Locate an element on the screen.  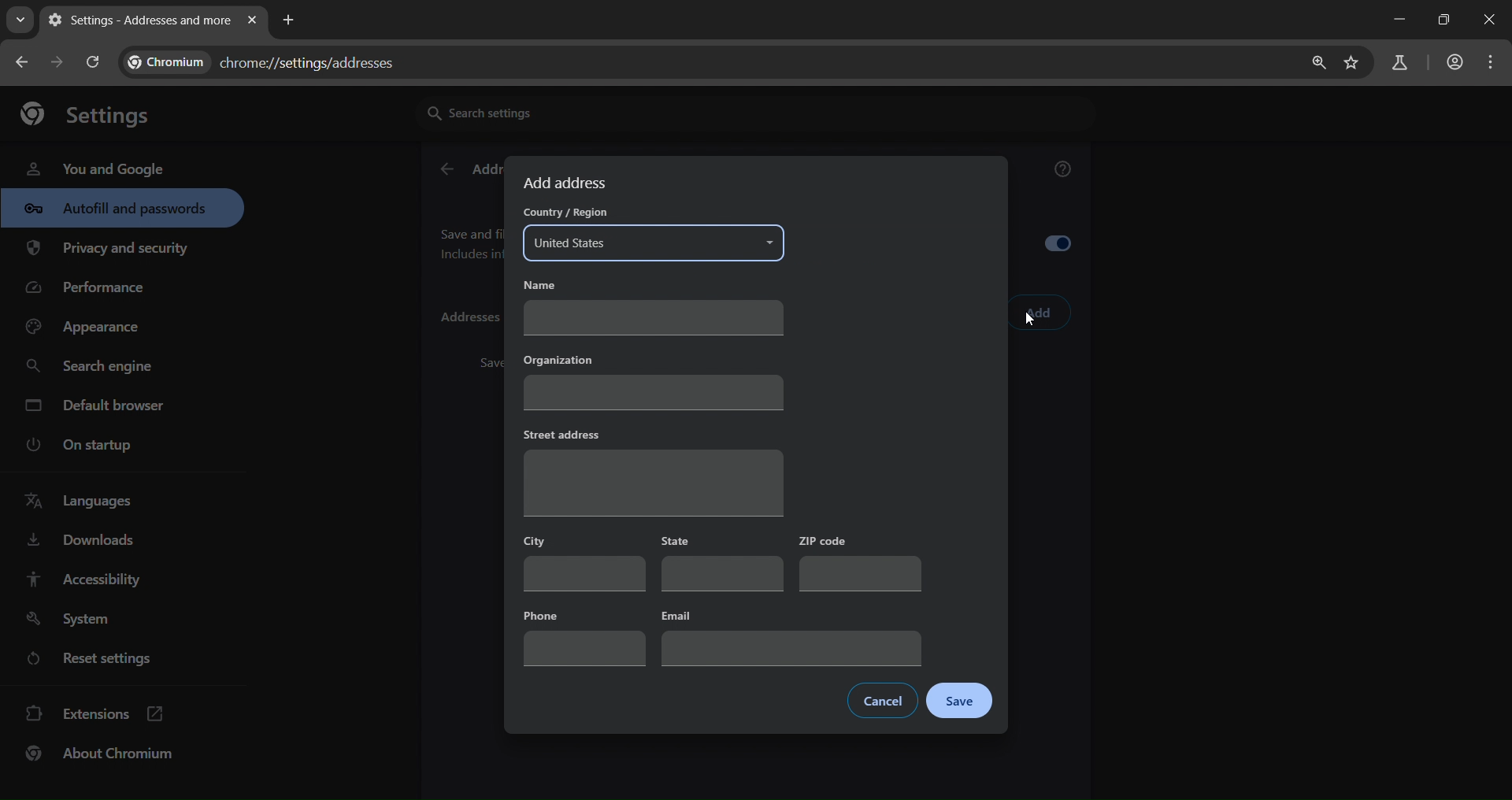
current page is located at coordinates (136, 20).